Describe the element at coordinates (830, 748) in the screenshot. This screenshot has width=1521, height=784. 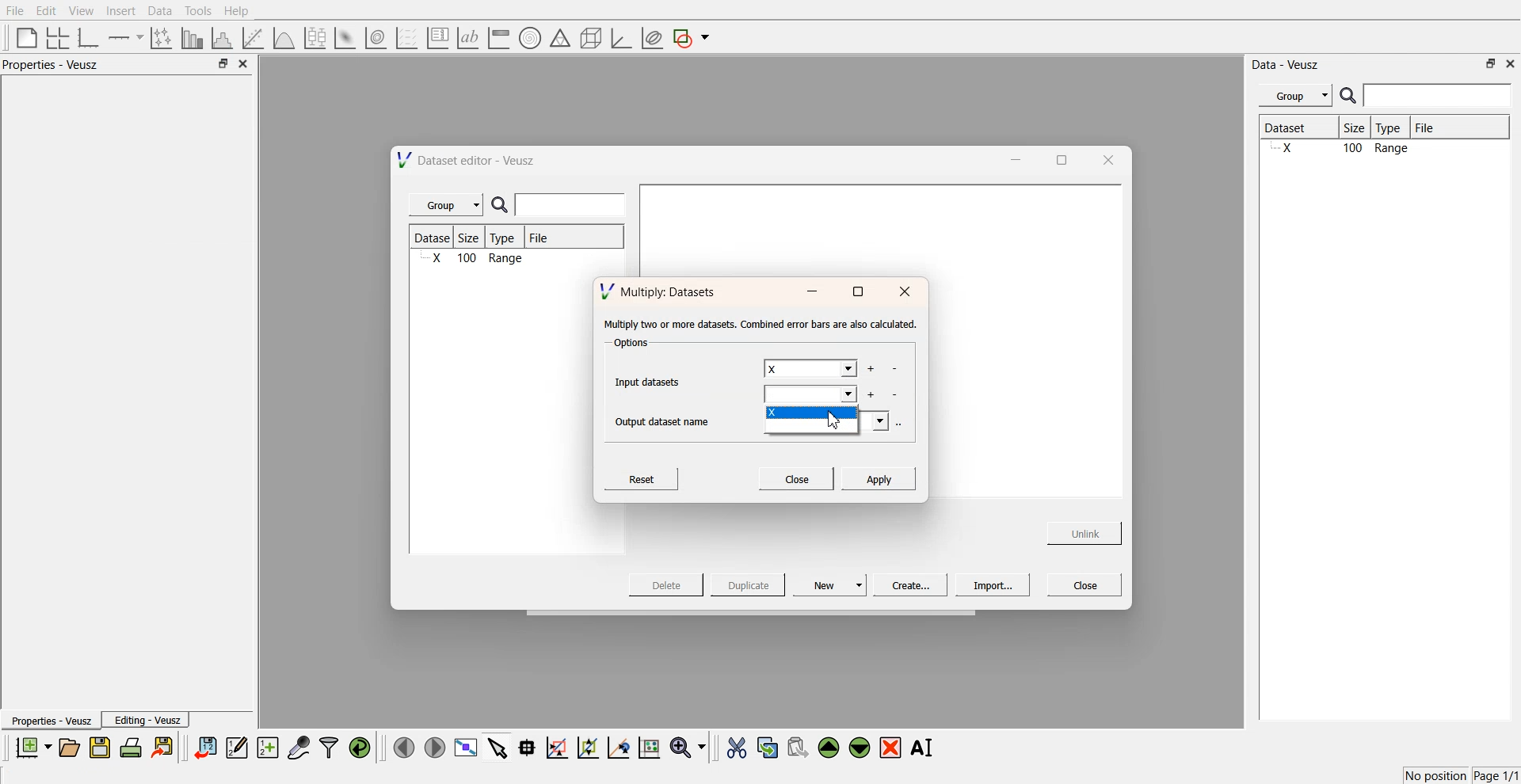
I see `move the selected widgets up` at that location.